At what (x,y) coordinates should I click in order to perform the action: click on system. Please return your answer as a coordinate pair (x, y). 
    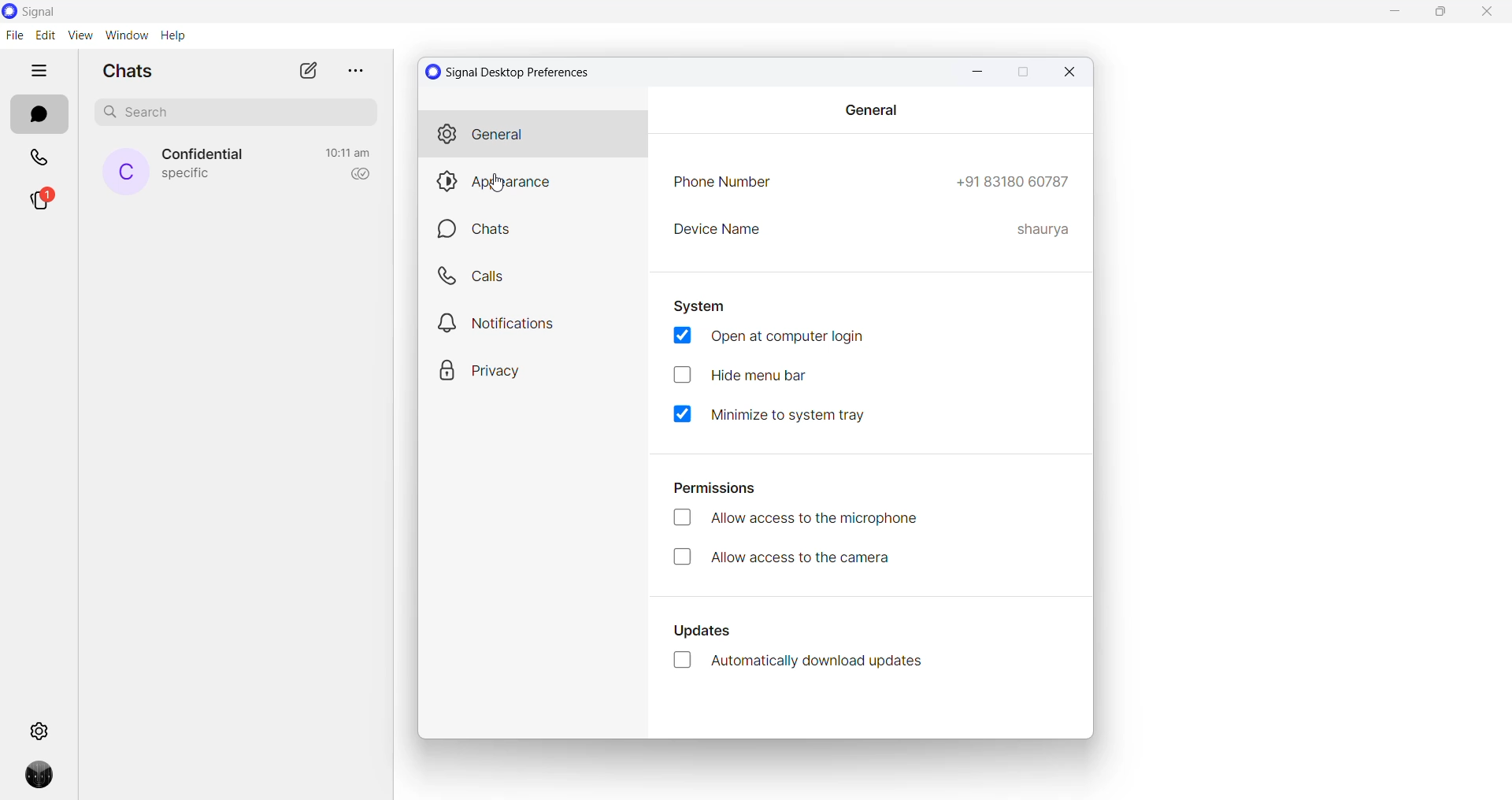
    Looking at the image, I should click on (700, 307).